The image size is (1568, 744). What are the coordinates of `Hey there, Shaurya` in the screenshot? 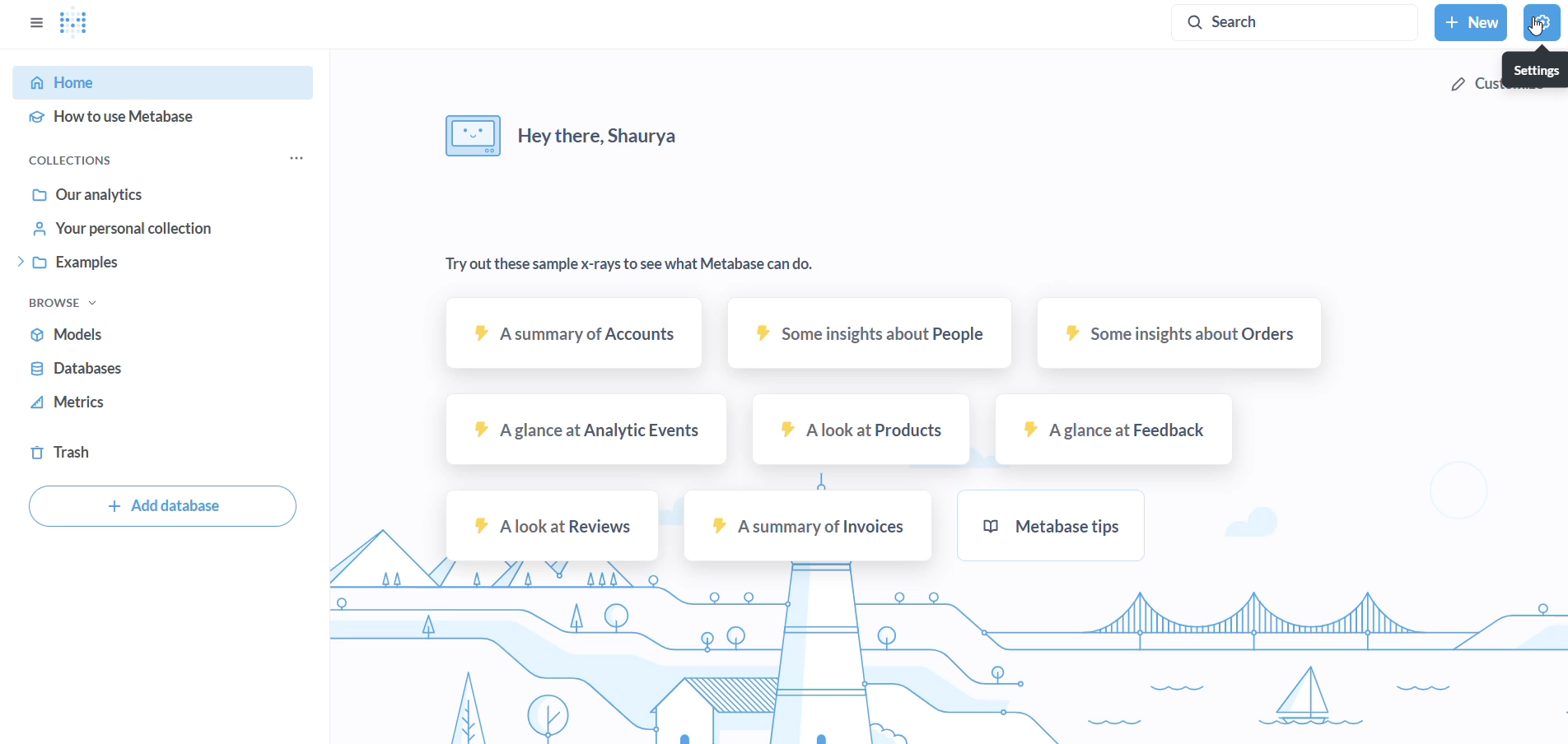 It's located at (562, 137).